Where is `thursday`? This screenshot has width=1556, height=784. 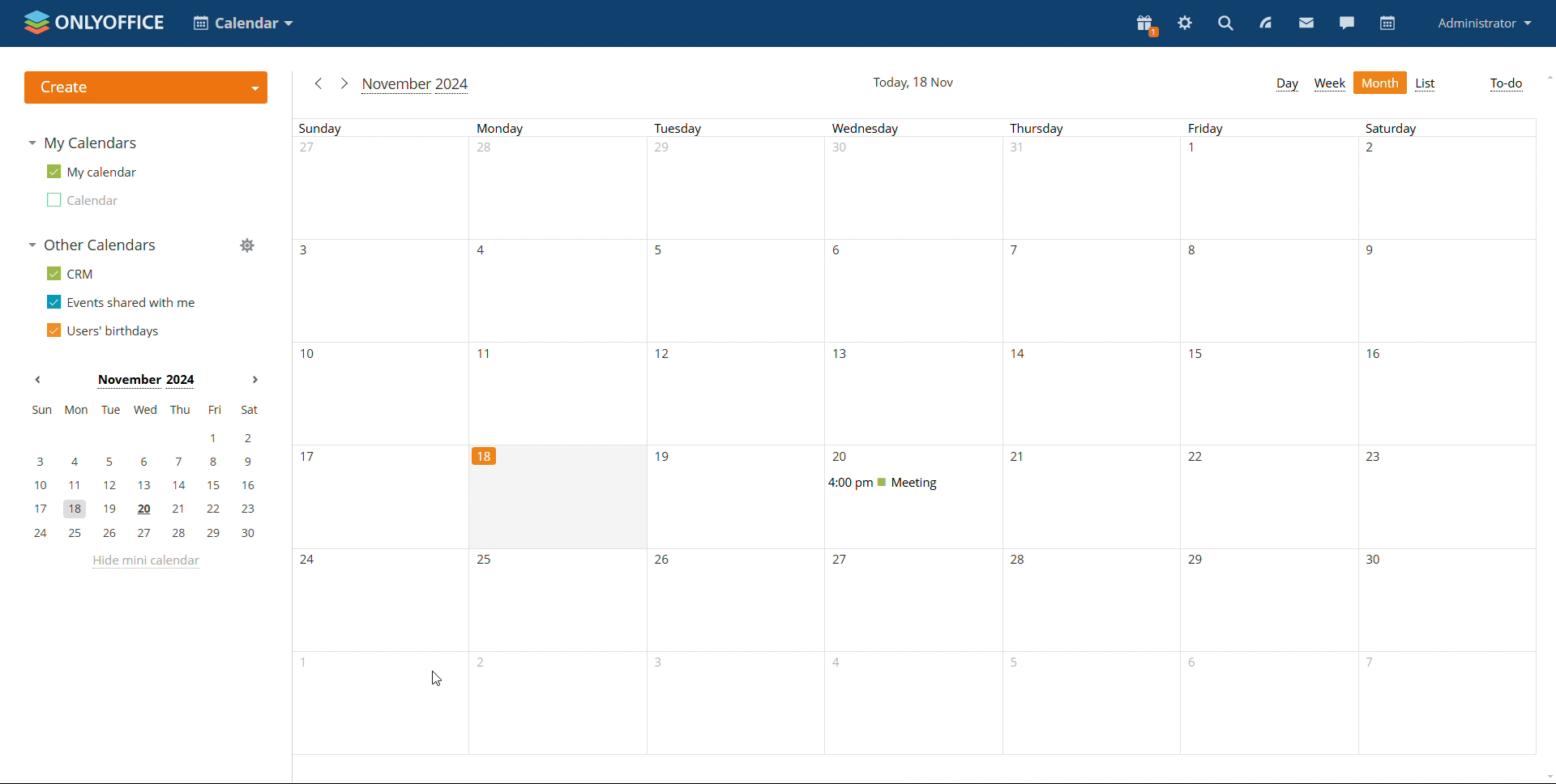 thursday is located at coordinates (1092, 437).